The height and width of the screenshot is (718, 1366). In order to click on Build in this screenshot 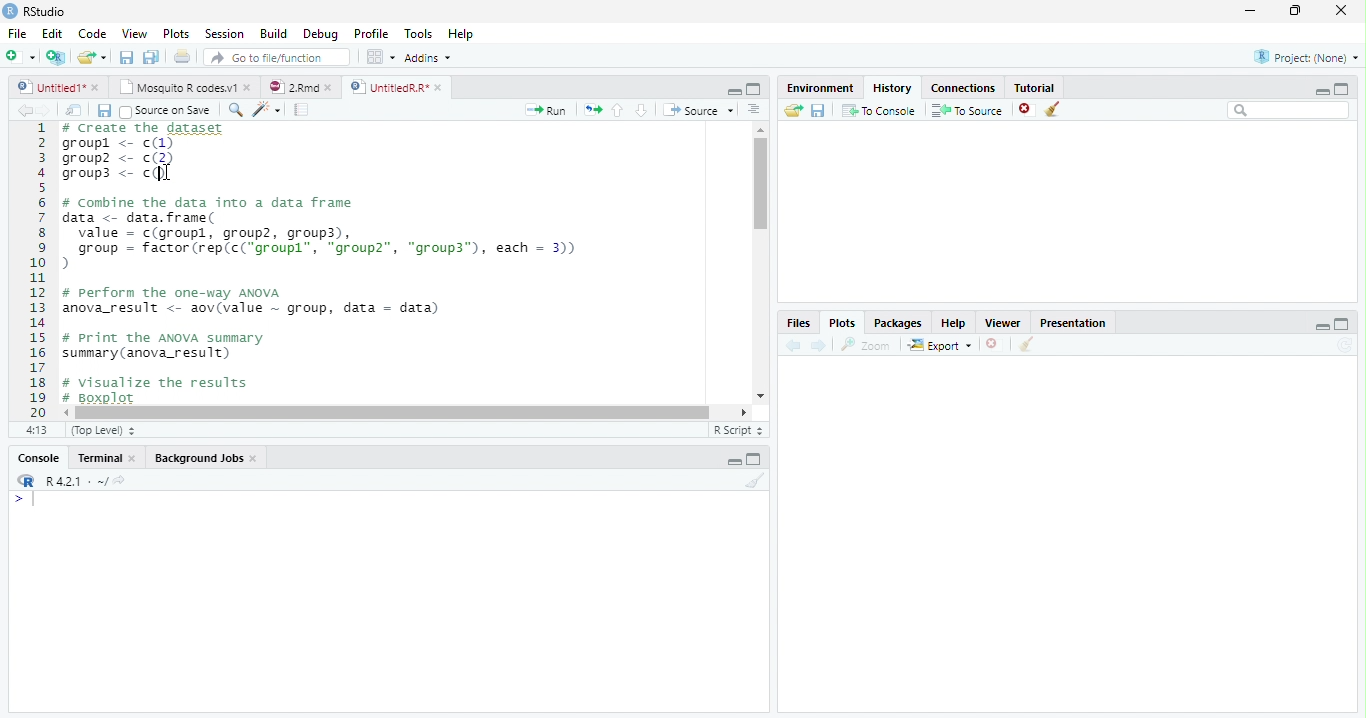, I will do `click(277, 34)`.